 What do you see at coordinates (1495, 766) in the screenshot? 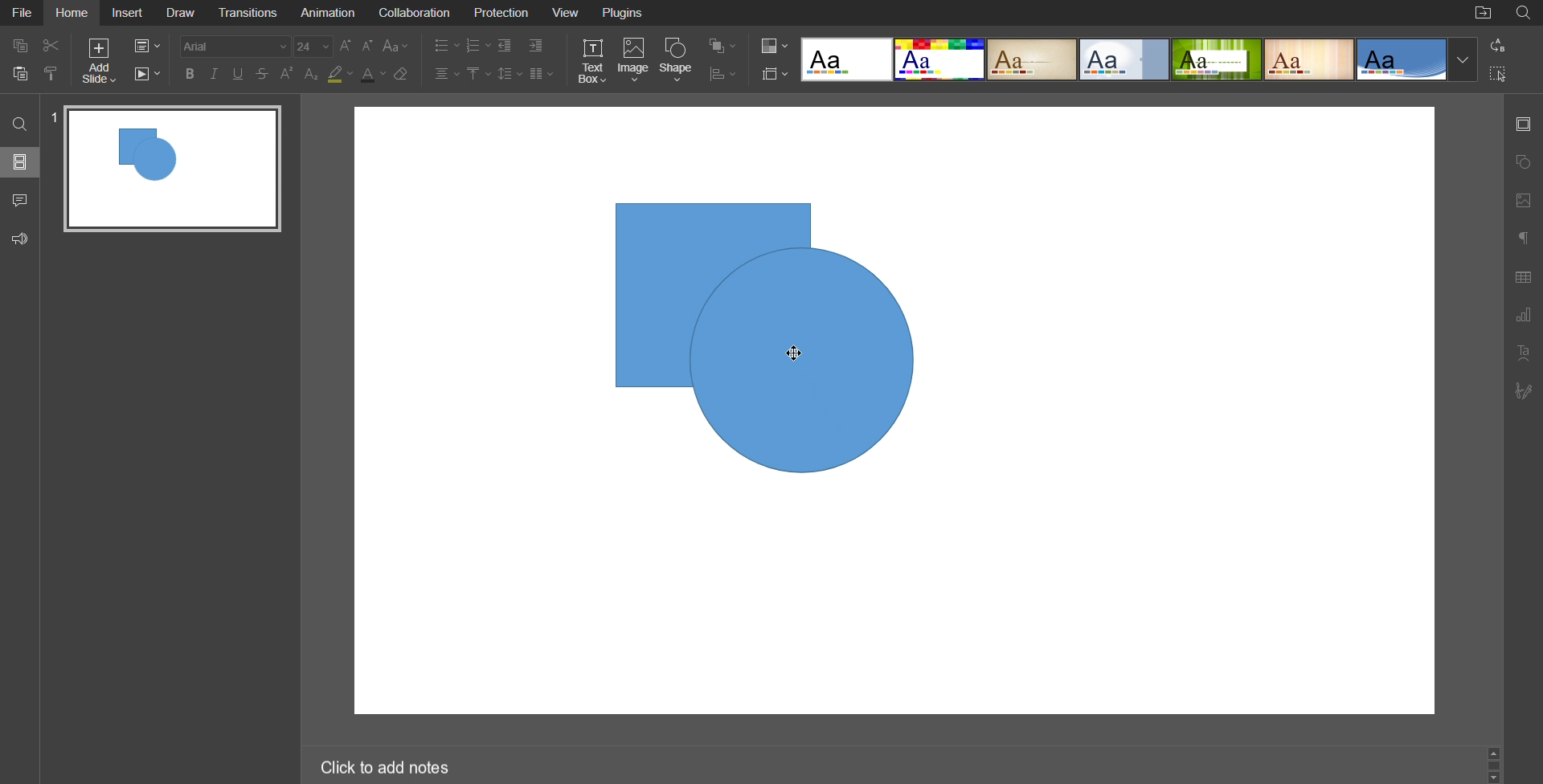
I see `Scroll Bar` at bounding box center [1495, 766].